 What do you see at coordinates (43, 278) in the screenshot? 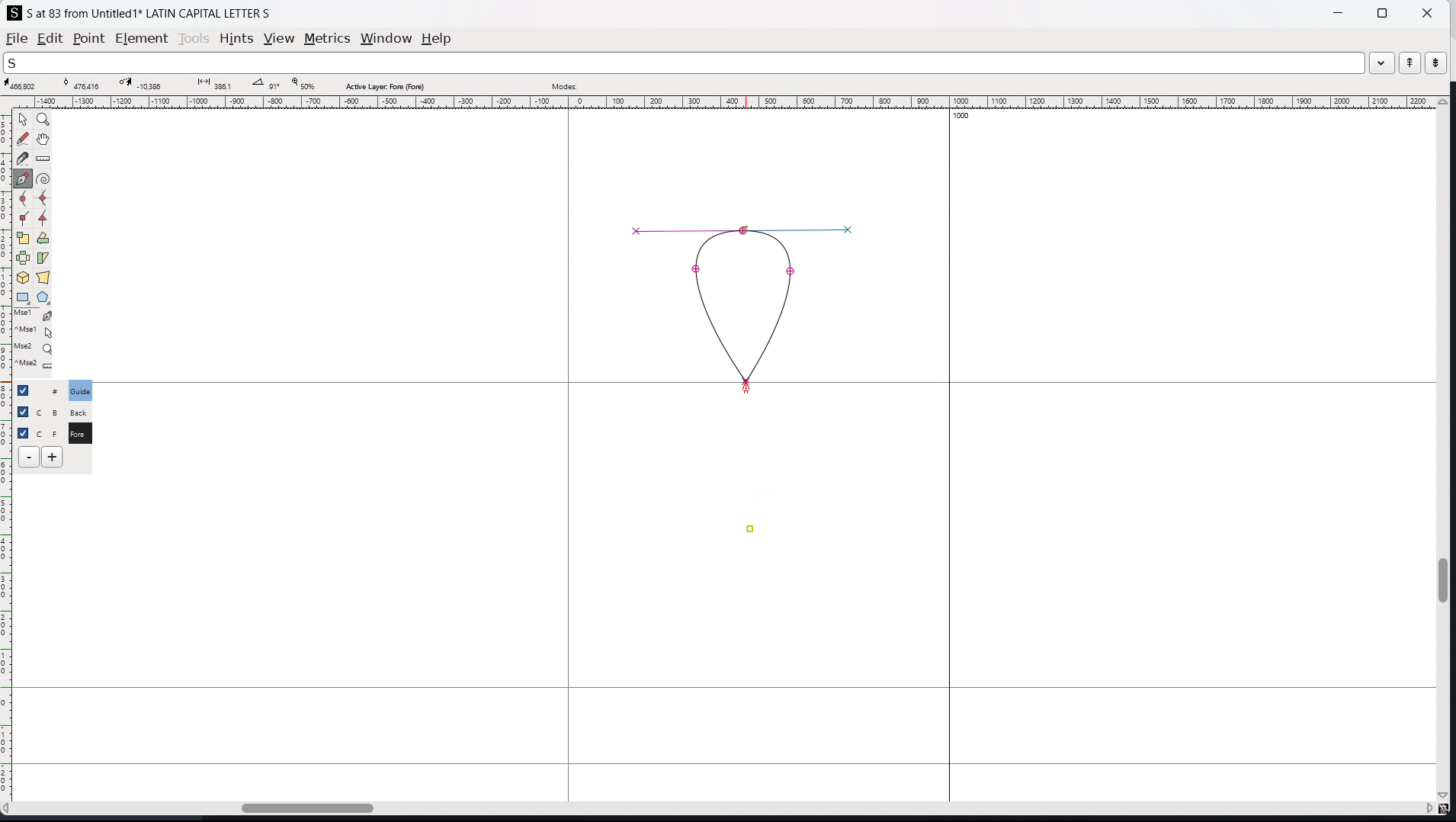
I see `perspective transformation` at bounding box center [43, 278].